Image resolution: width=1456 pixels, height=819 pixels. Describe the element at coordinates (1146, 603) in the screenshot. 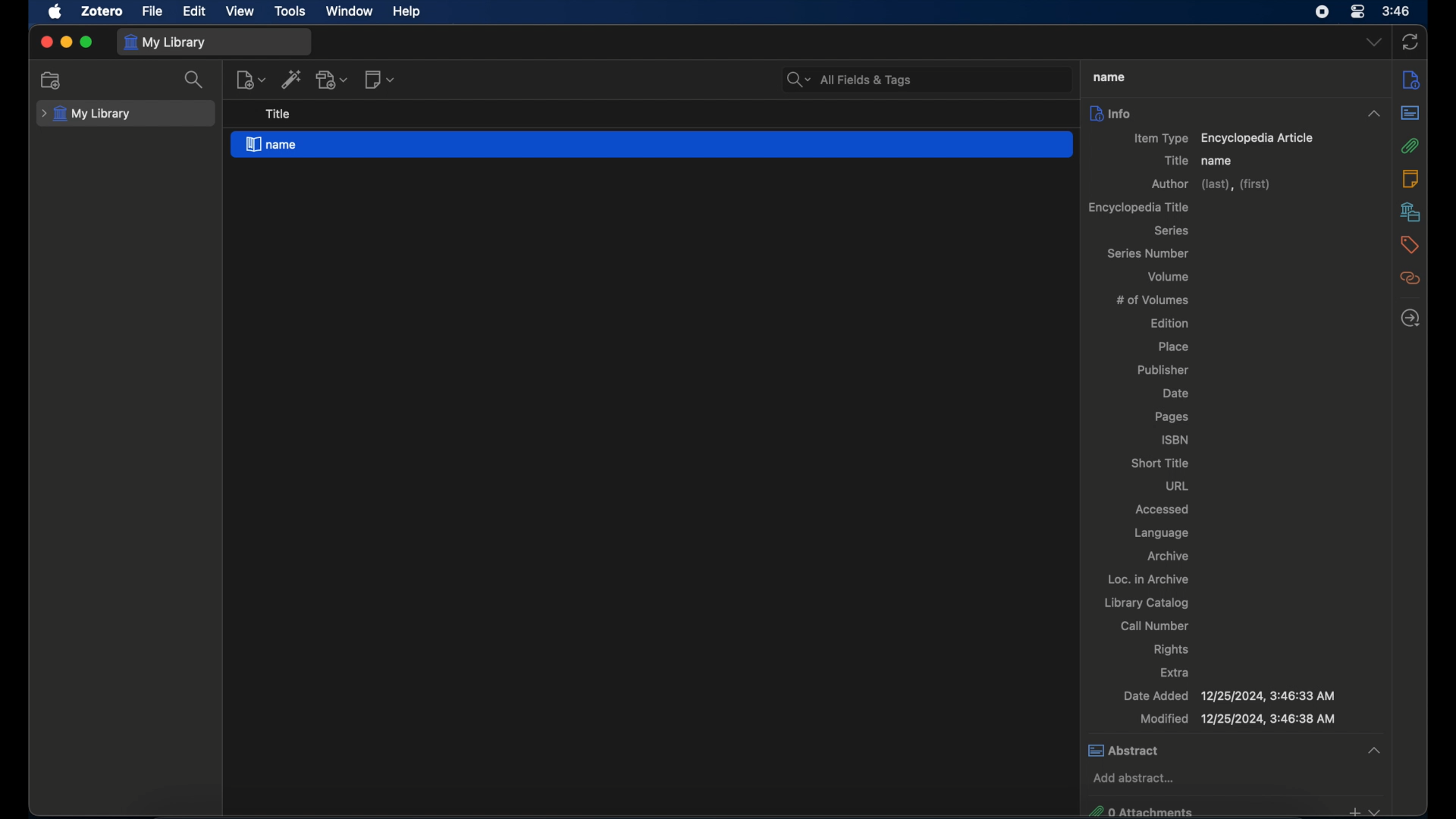

I see `library catalog` at that location.